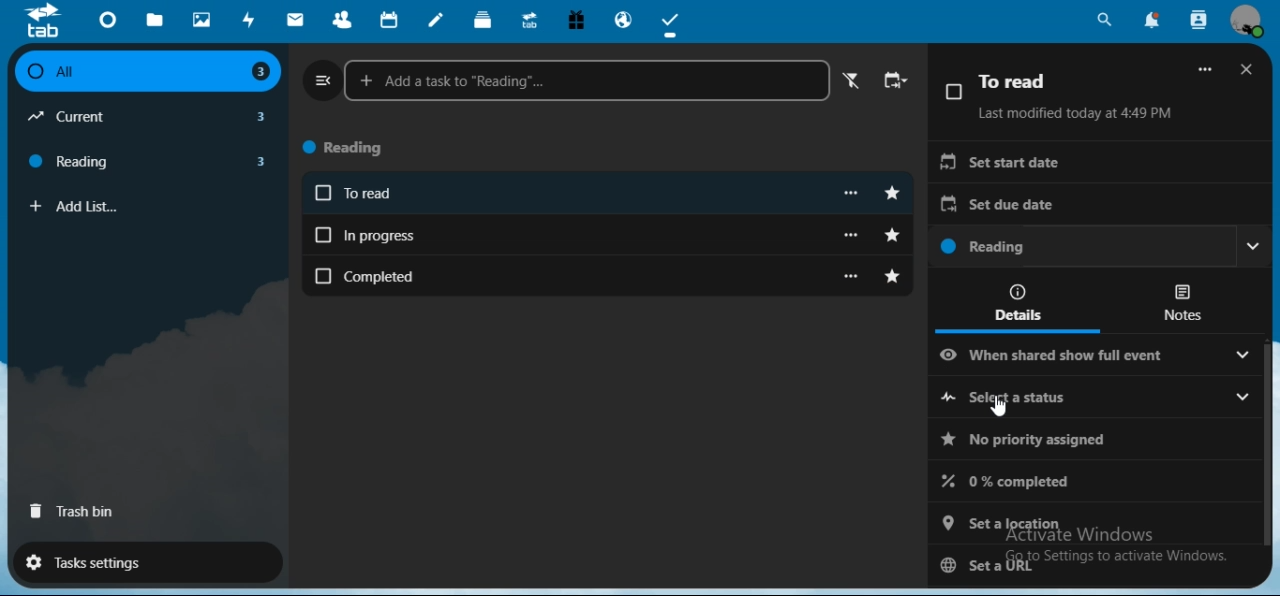 This screenshot has width=1280, height=596. I want to click on in progress, so click(585, 235).